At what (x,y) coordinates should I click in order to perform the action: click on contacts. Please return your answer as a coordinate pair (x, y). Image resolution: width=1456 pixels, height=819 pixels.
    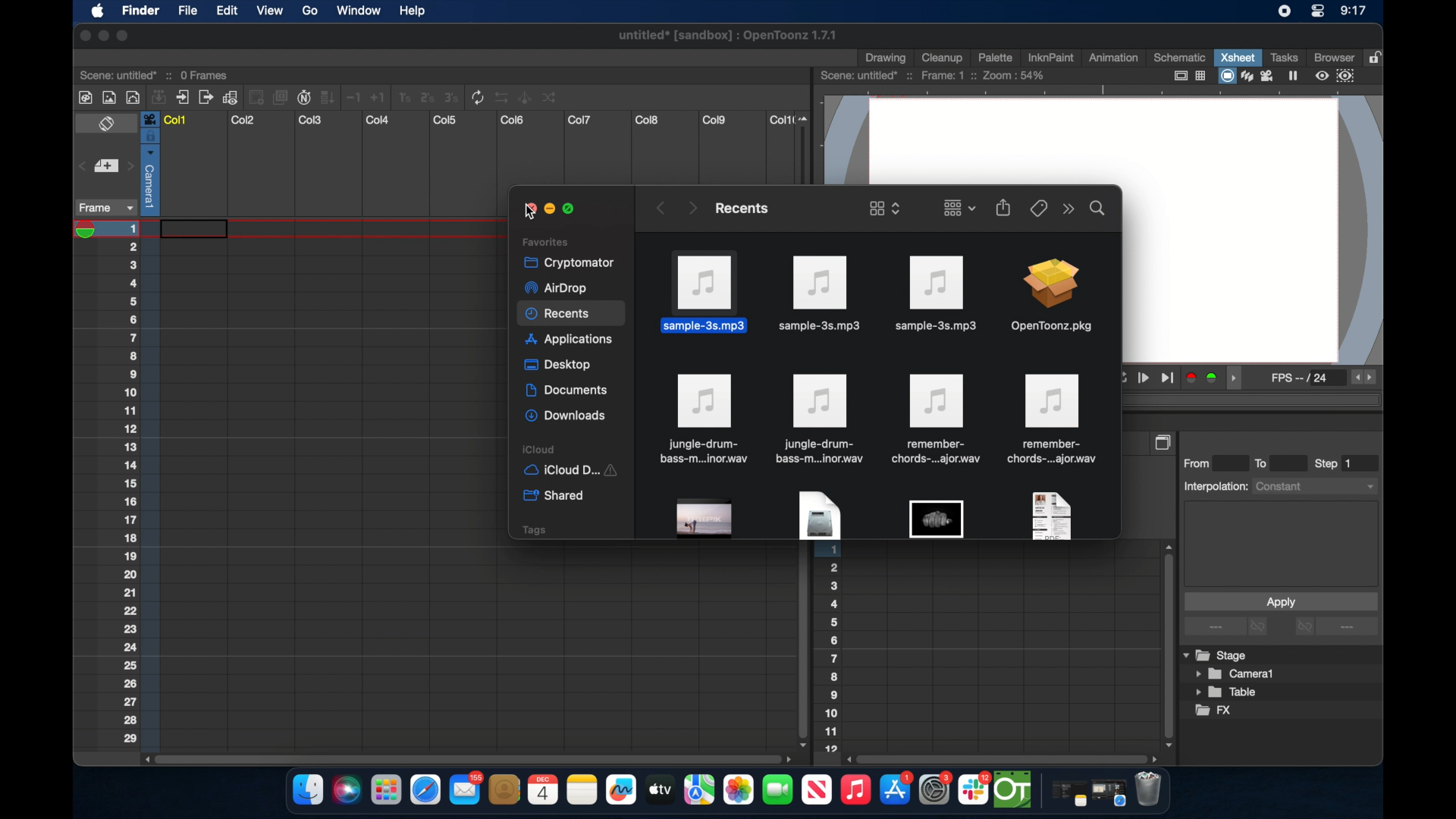
    Looking at the image, I should click on (505, 789).